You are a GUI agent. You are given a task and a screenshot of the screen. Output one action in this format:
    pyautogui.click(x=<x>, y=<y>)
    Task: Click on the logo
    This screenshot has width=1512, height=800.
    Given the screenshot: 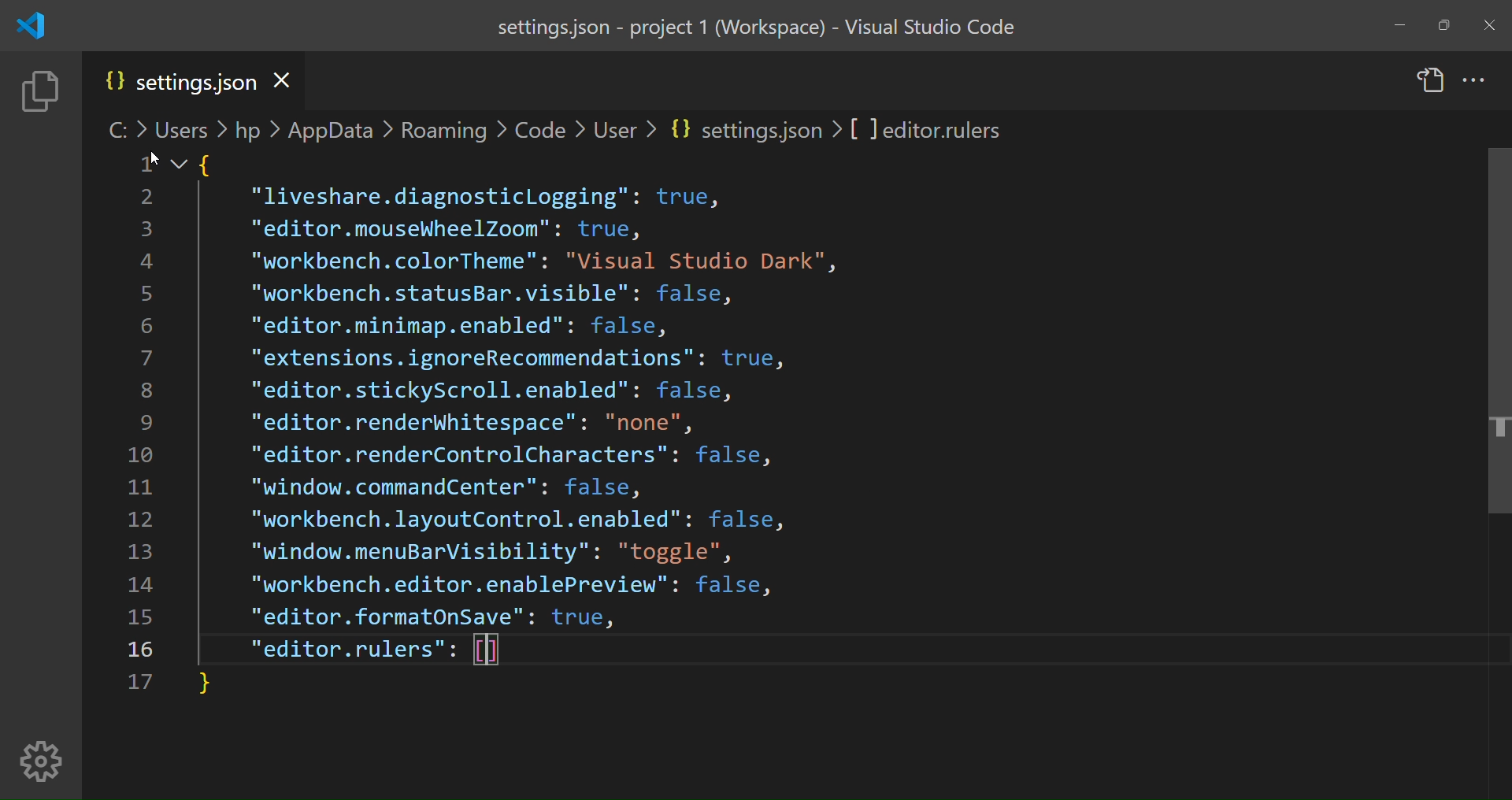 What is the action you would take?
    pyautogui.click(x=29, y=27)
    